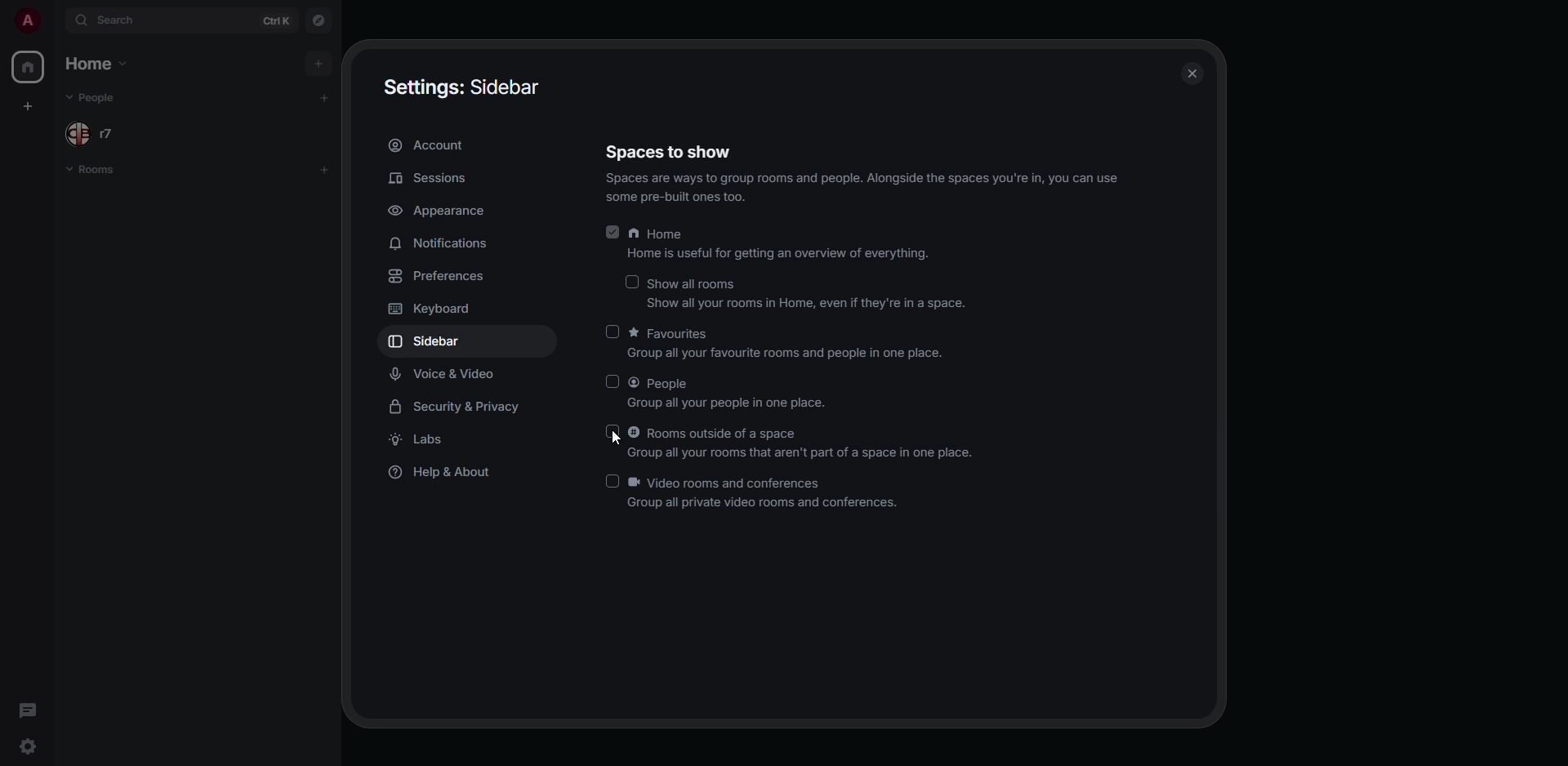 Image resolution: width=1568 pixels, height=766 pixels. Describe the element at coordinates (782, 244) in the screenshot. I see `Home Home is useful for getting an overview of everything.` at that location.